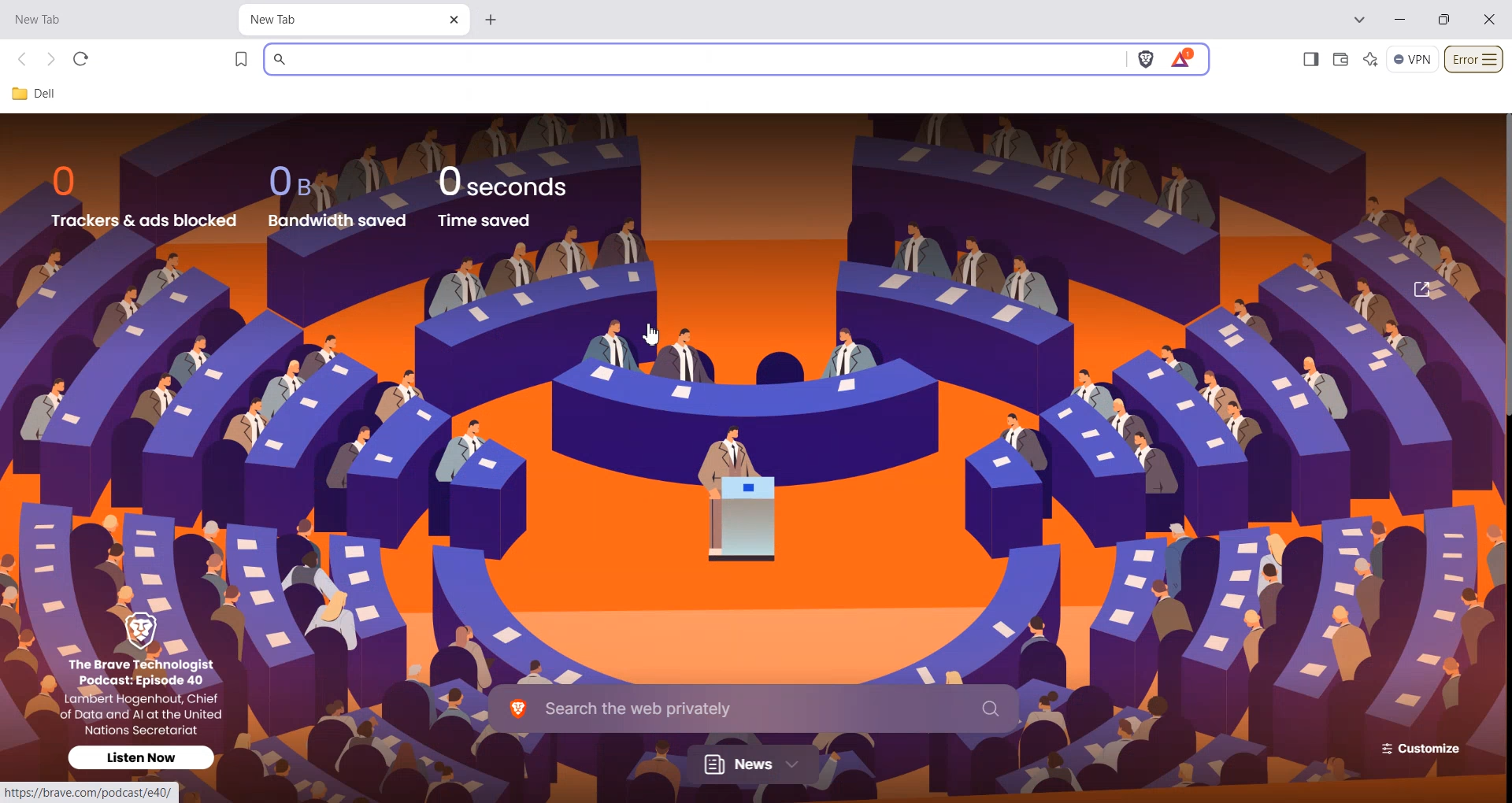  What do you see at coordinates (1361, 20) in the screenshot?
I see `Search tabs` at bounding box center [1361, 20].